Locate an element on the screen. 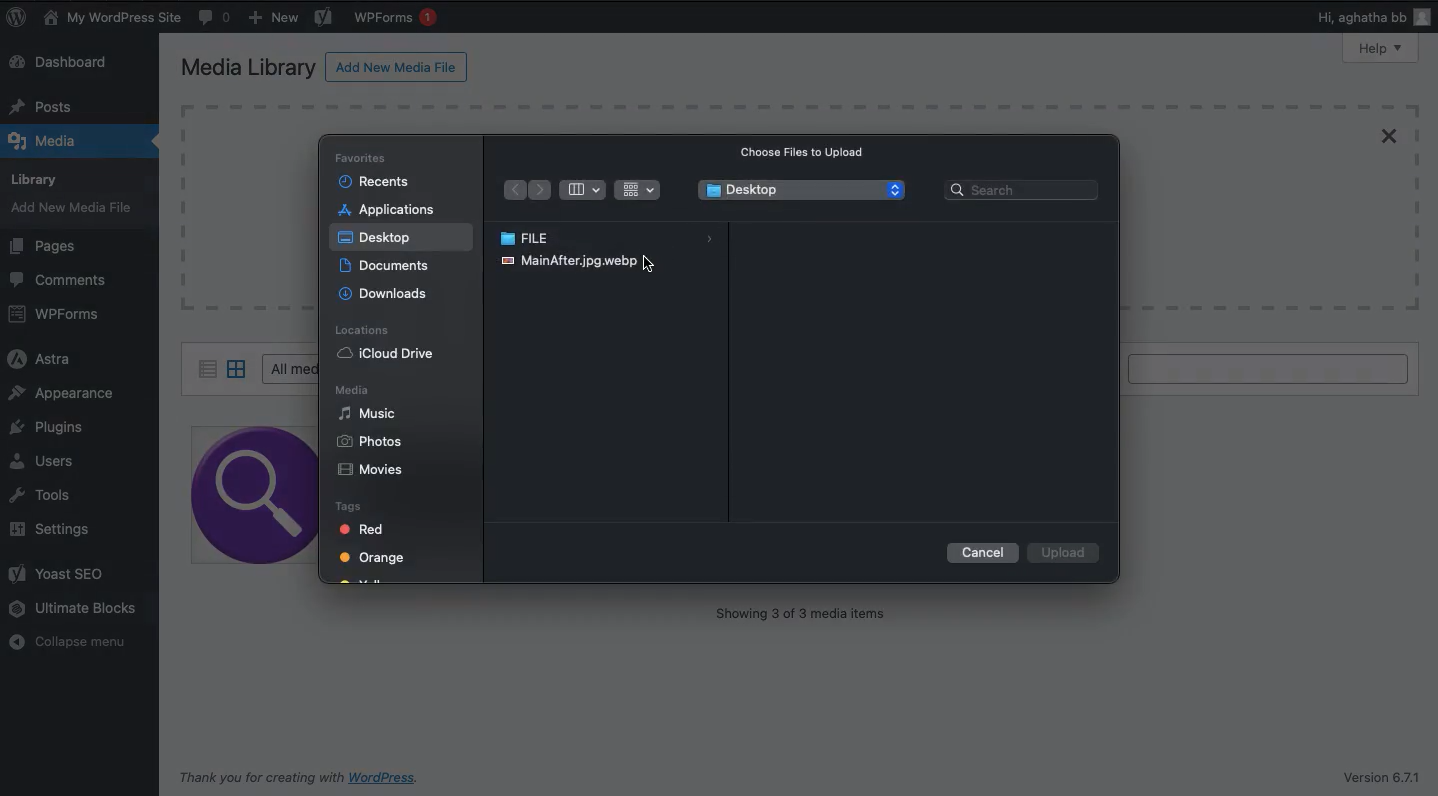 This screenshot has height=796, width=1438. Choose files to upload is located at coordinates (806, 151).